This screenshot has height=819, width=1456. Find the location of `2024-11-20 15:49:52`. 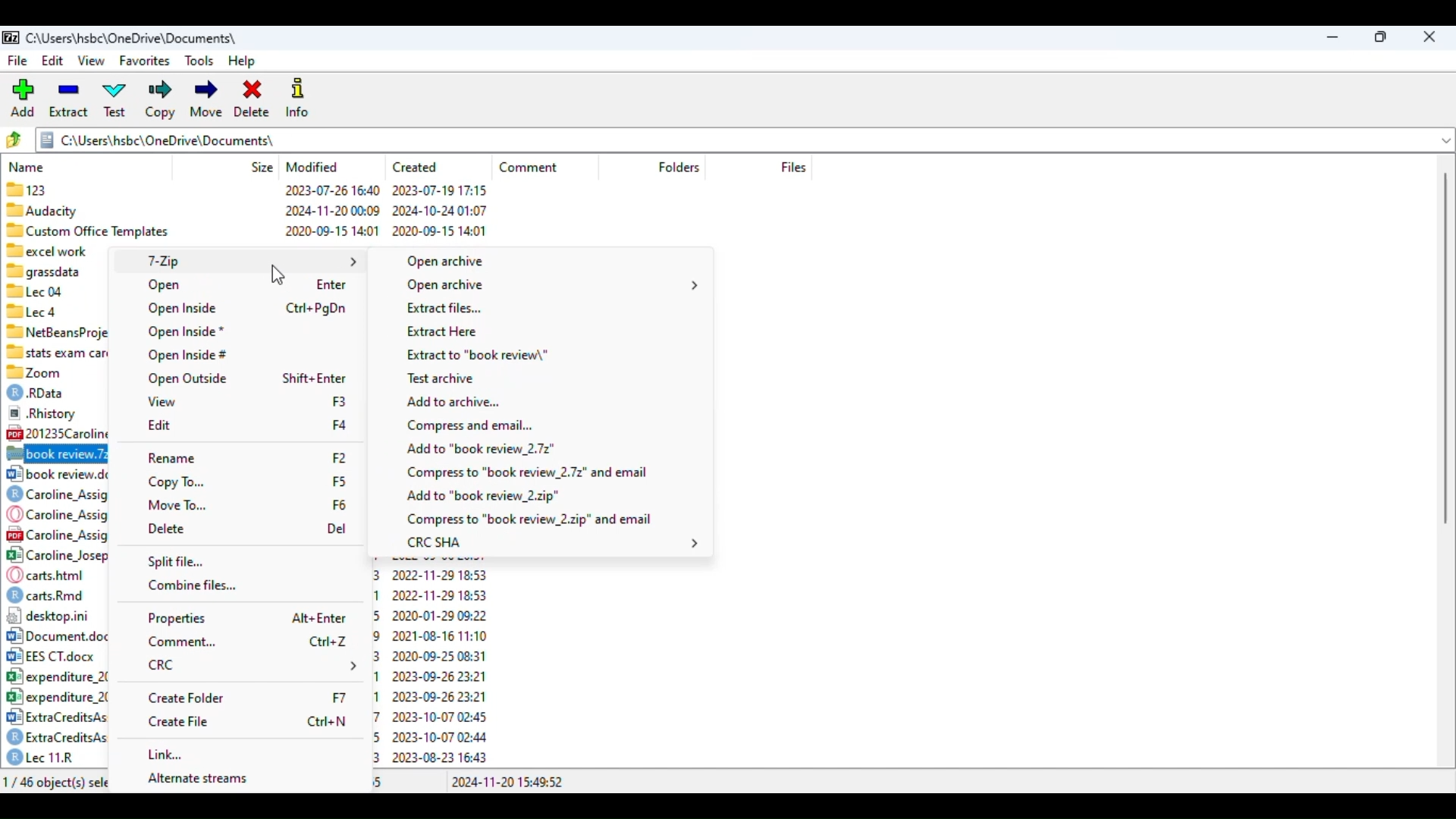

2024-11-20 15:49:52 is located at coordinates (506, 782).